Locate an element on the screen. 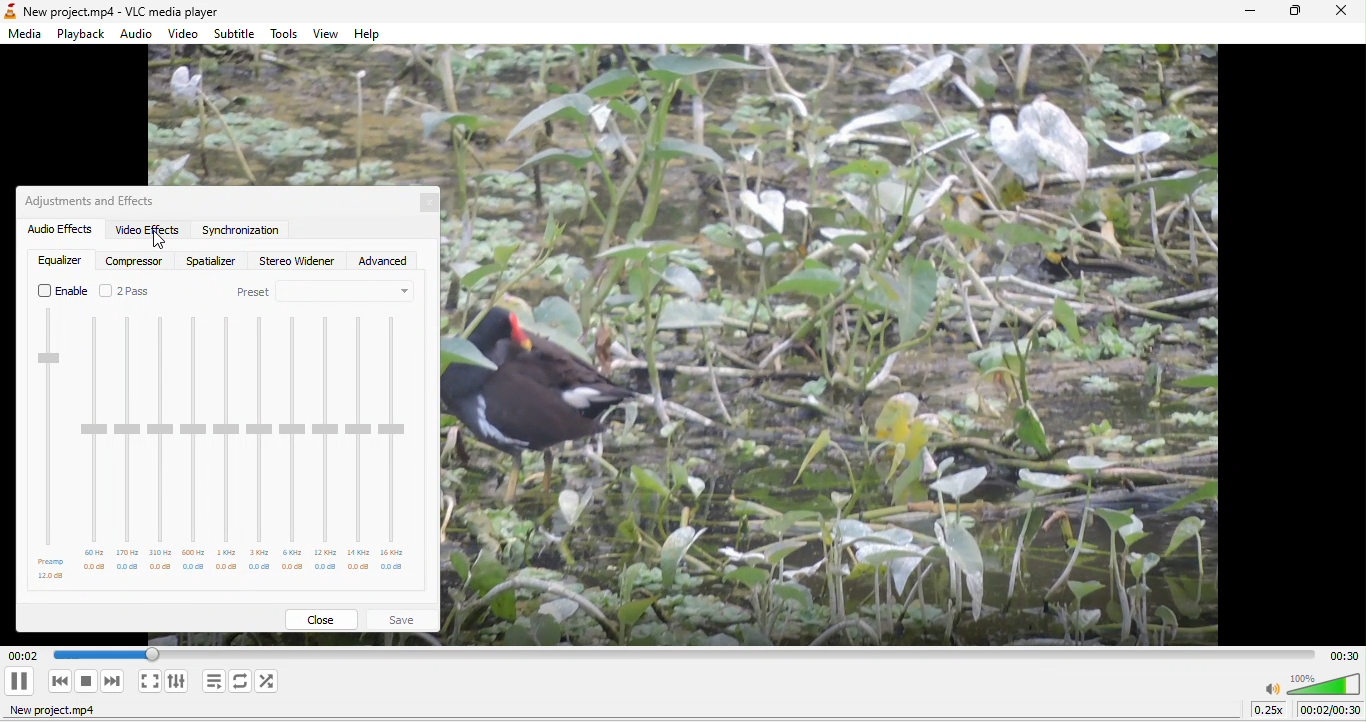 The height and width of the screenshot is (722, 1366). 00.01/ 00.30 is located at coordinates (1333, 712).